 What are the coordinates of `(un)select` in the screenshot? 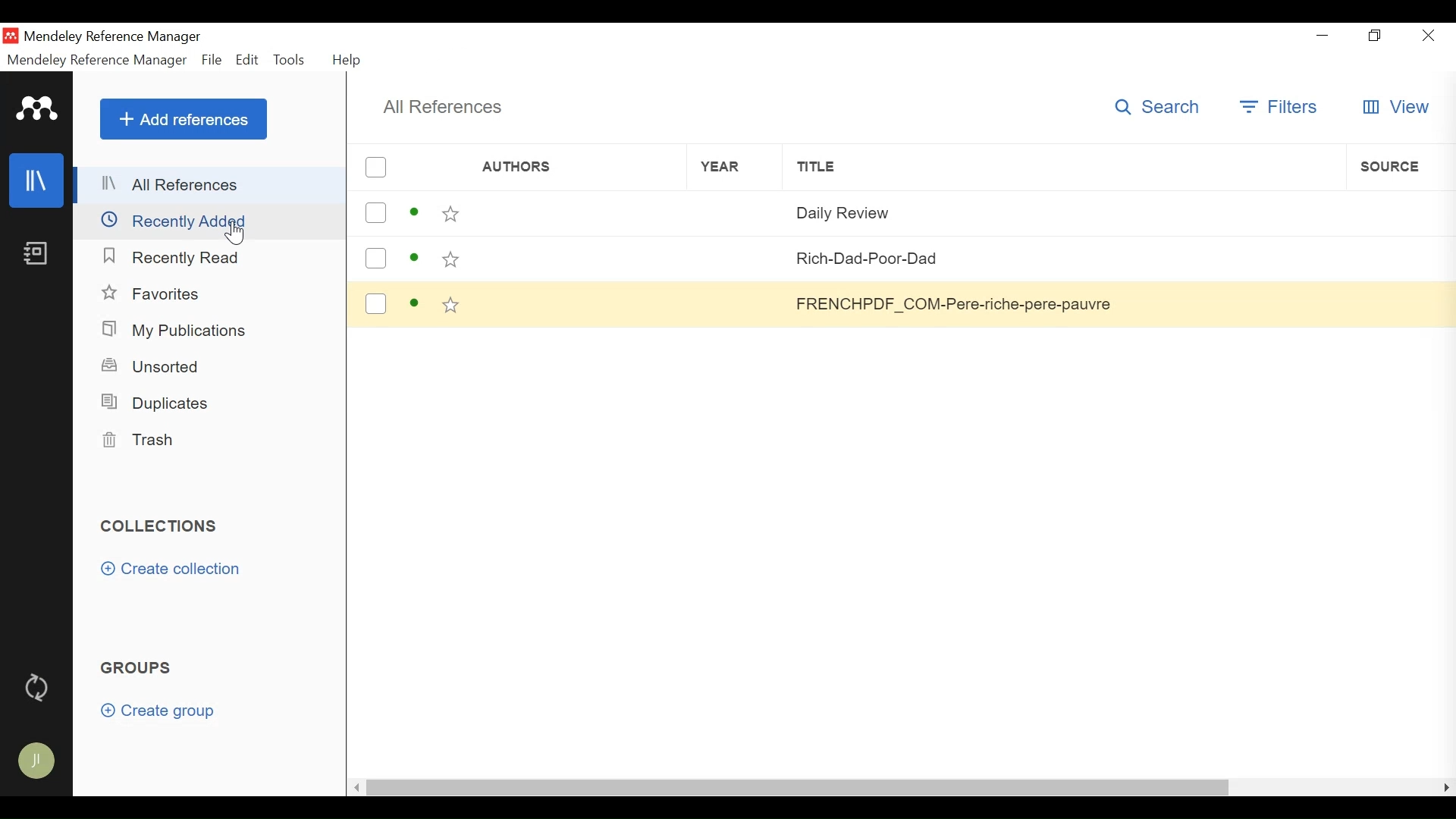 It's located at (377, 167).